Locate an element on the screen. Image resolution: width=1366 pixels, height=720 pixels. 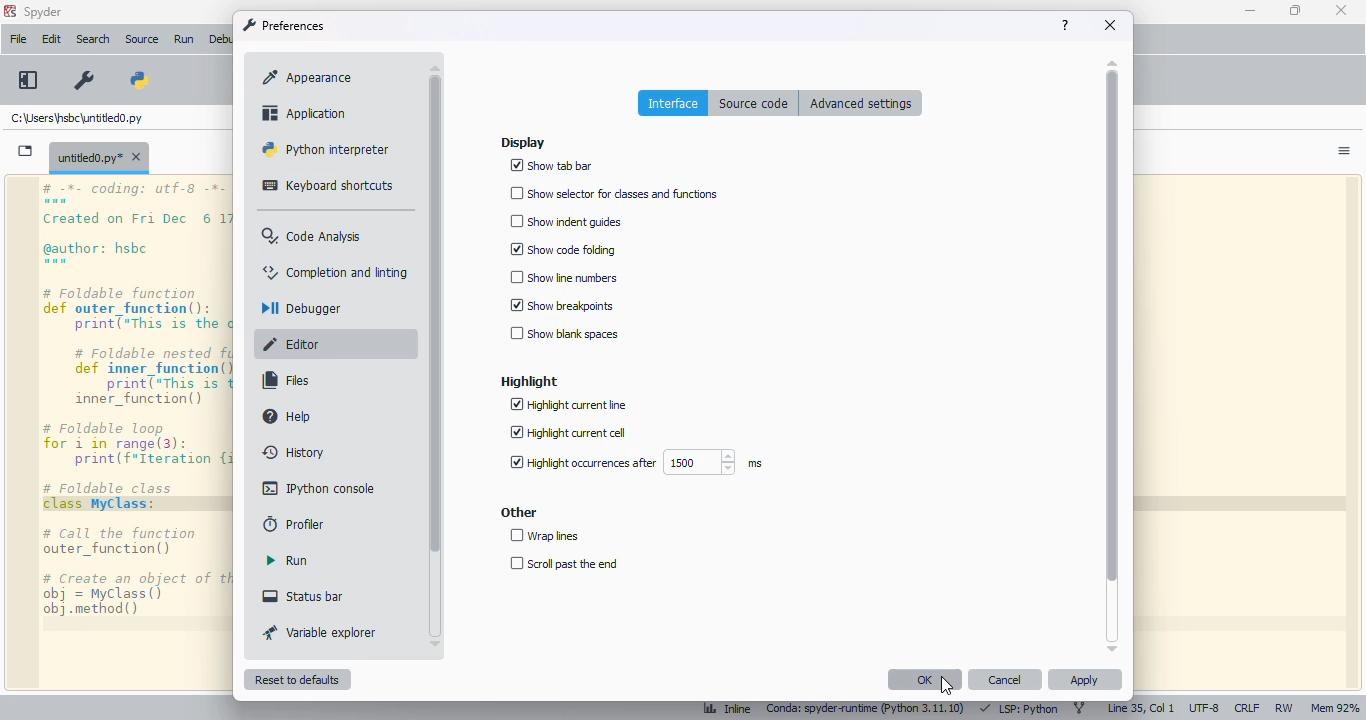
status bar is located at coordinates (303, 595).